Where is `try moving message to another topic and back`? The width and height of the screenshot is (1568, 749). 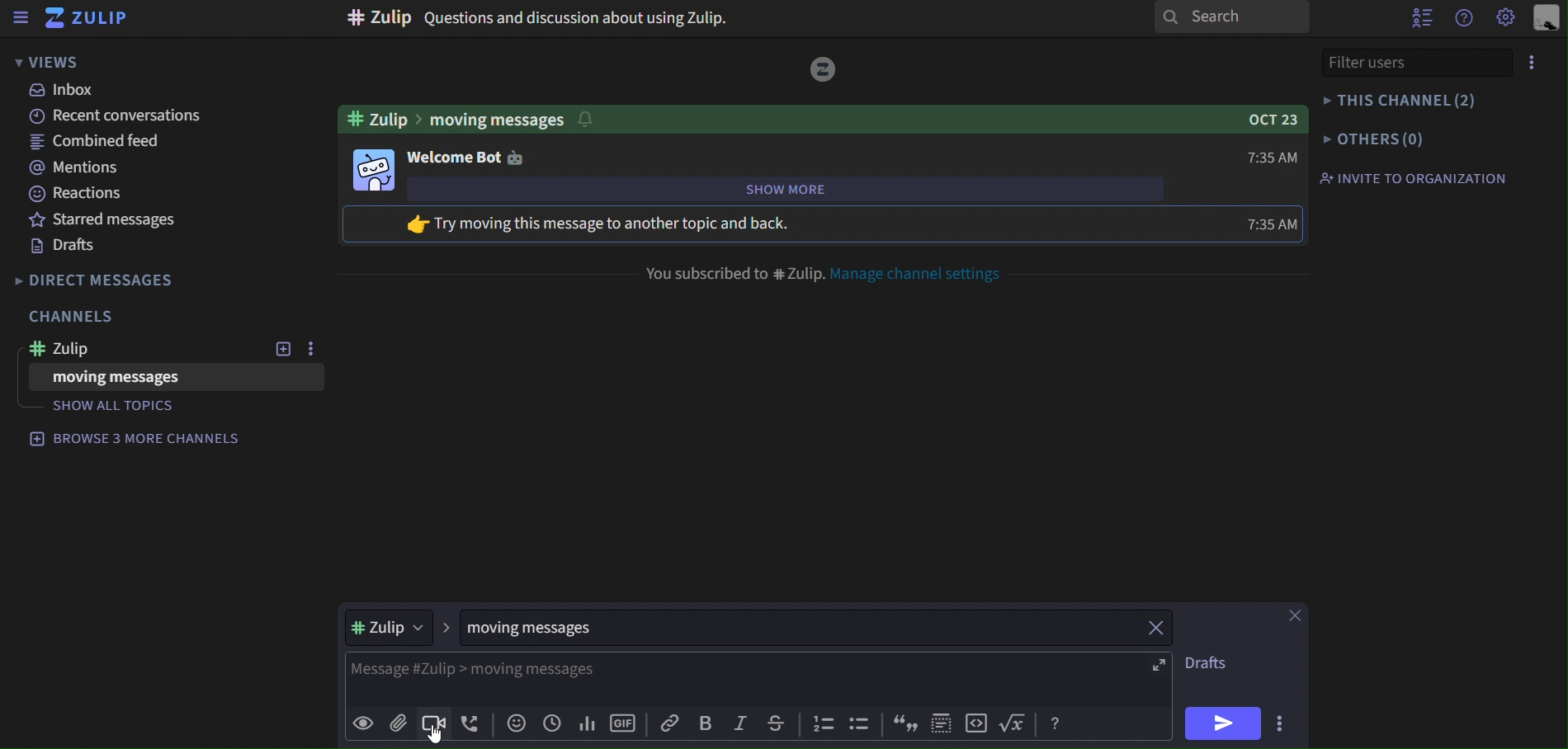
try moving message to another topic and back is located at coordinates (631, 224).